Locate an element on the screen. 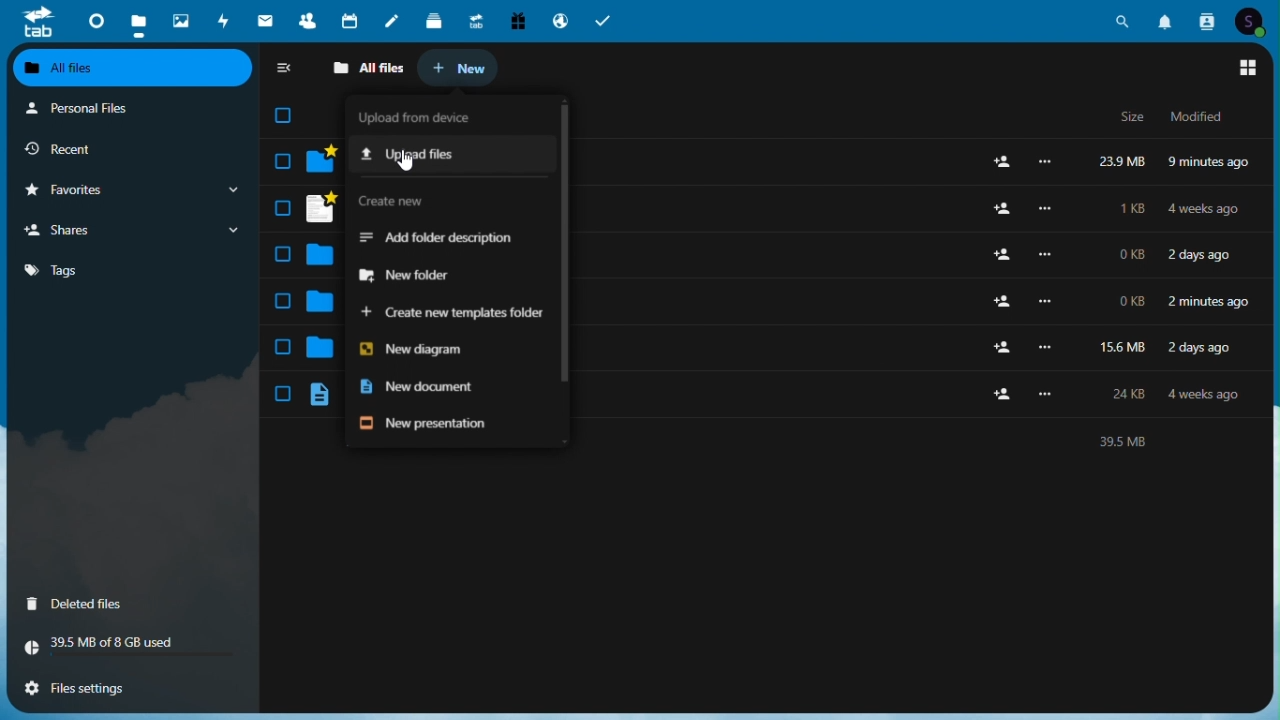 The width and height of the screenshot is (1280, 720). New folder is located at coordinates (448, 275).